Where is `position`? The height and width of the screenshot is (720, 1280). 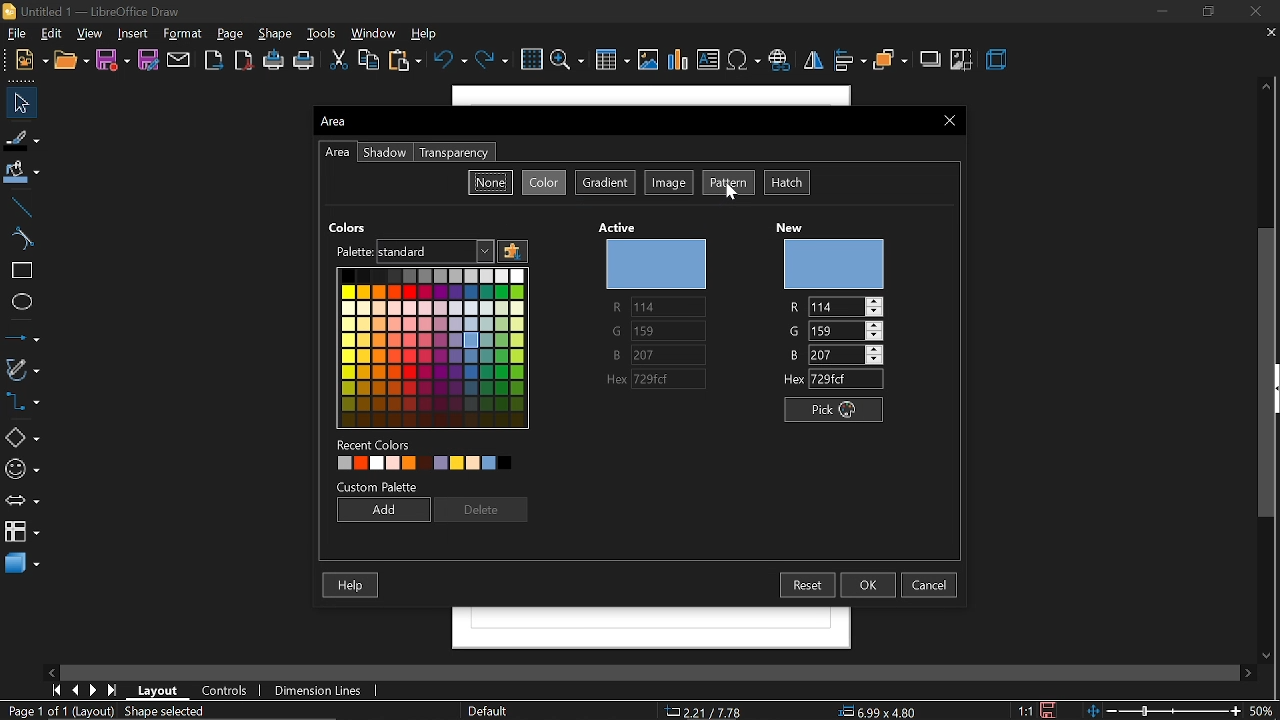
position is located at coordinates (883, 710).